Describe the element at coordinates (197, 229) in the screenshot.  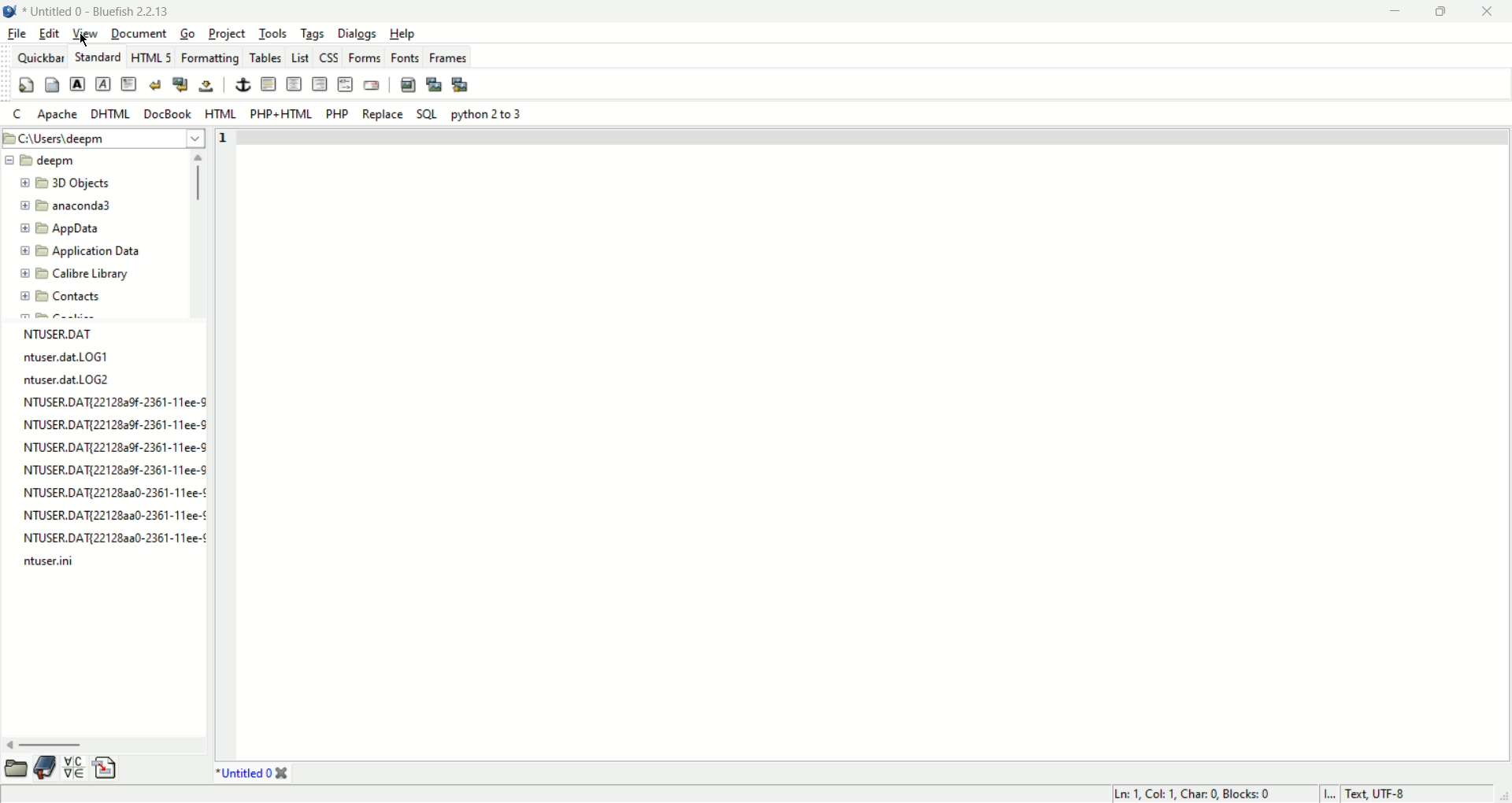
I see `vertical scroll bar` at that location.